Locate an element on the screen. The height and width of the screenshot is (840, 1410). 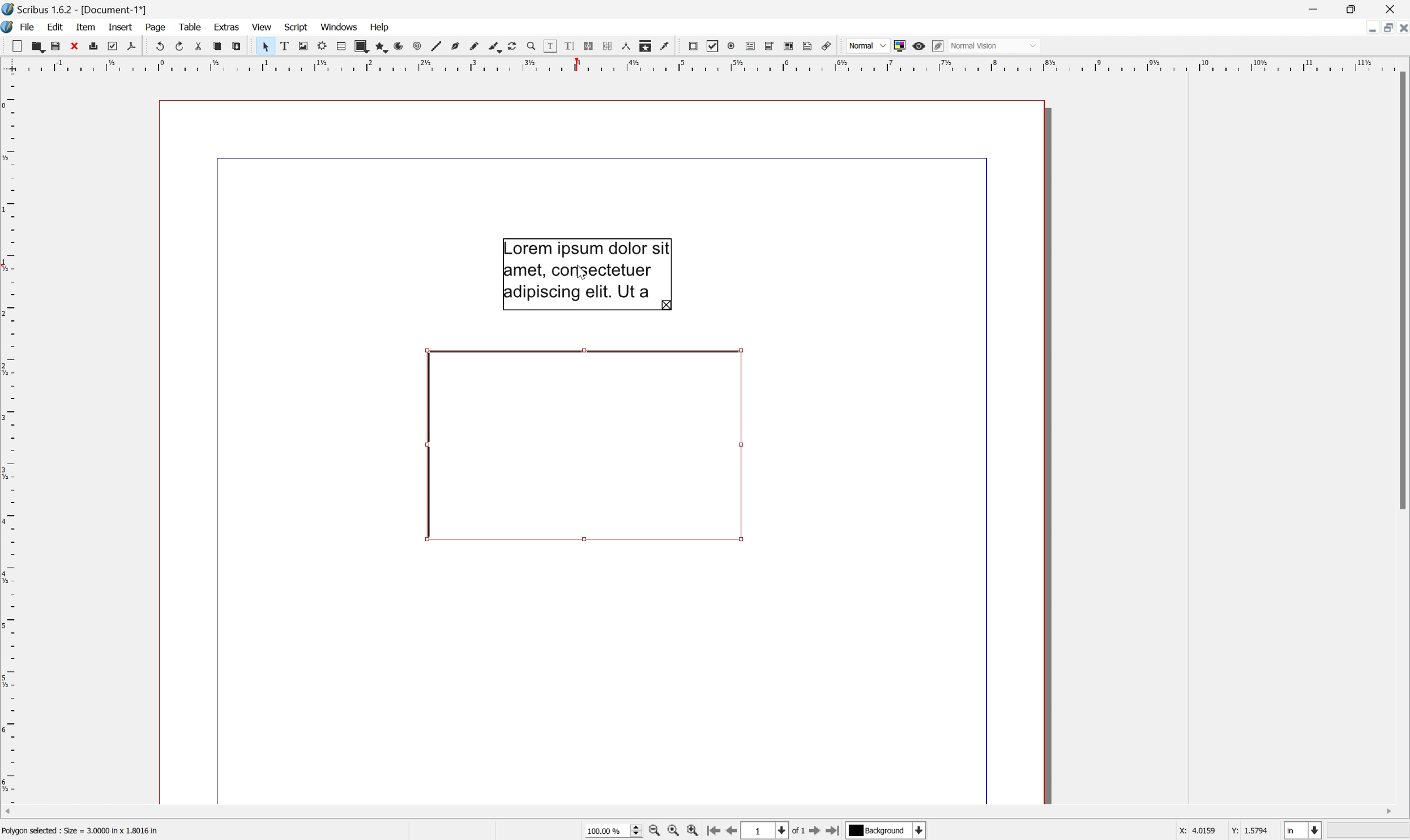
Toggle color management system is located at coordinates (896, 44).